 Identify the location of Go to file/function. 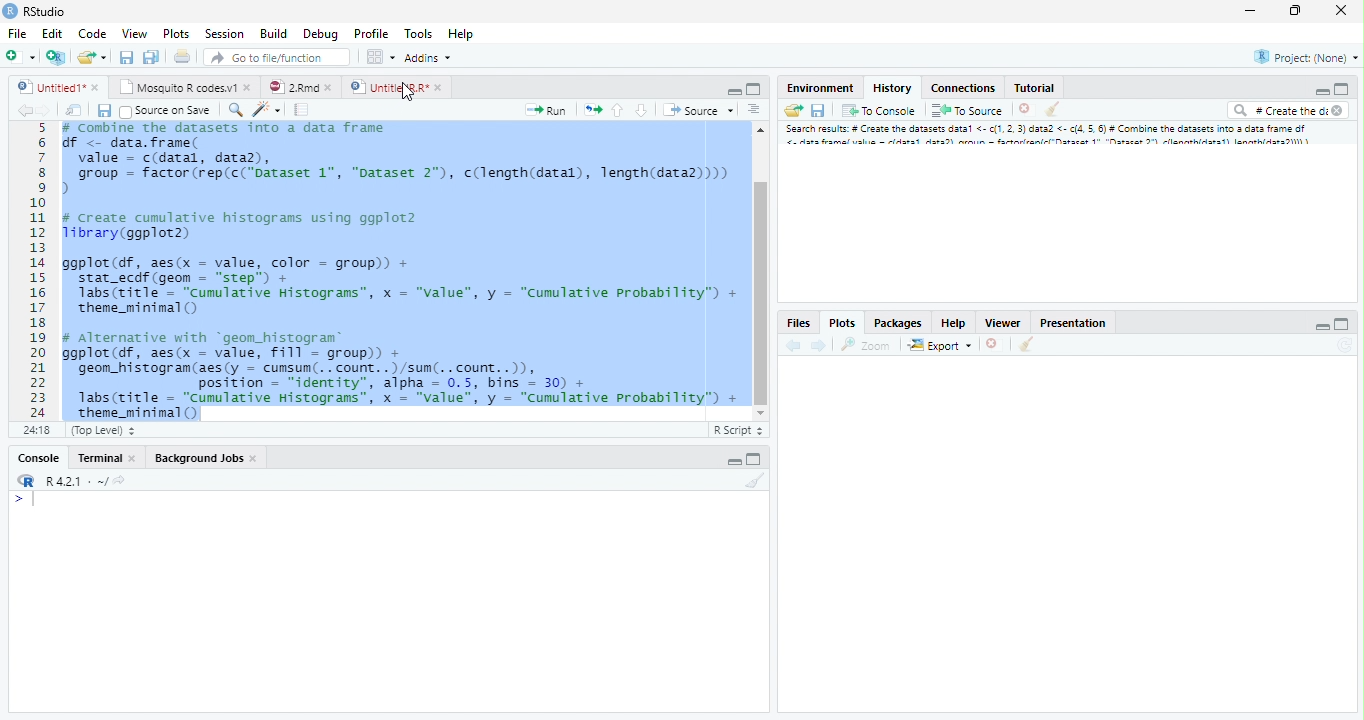
(275, 58).